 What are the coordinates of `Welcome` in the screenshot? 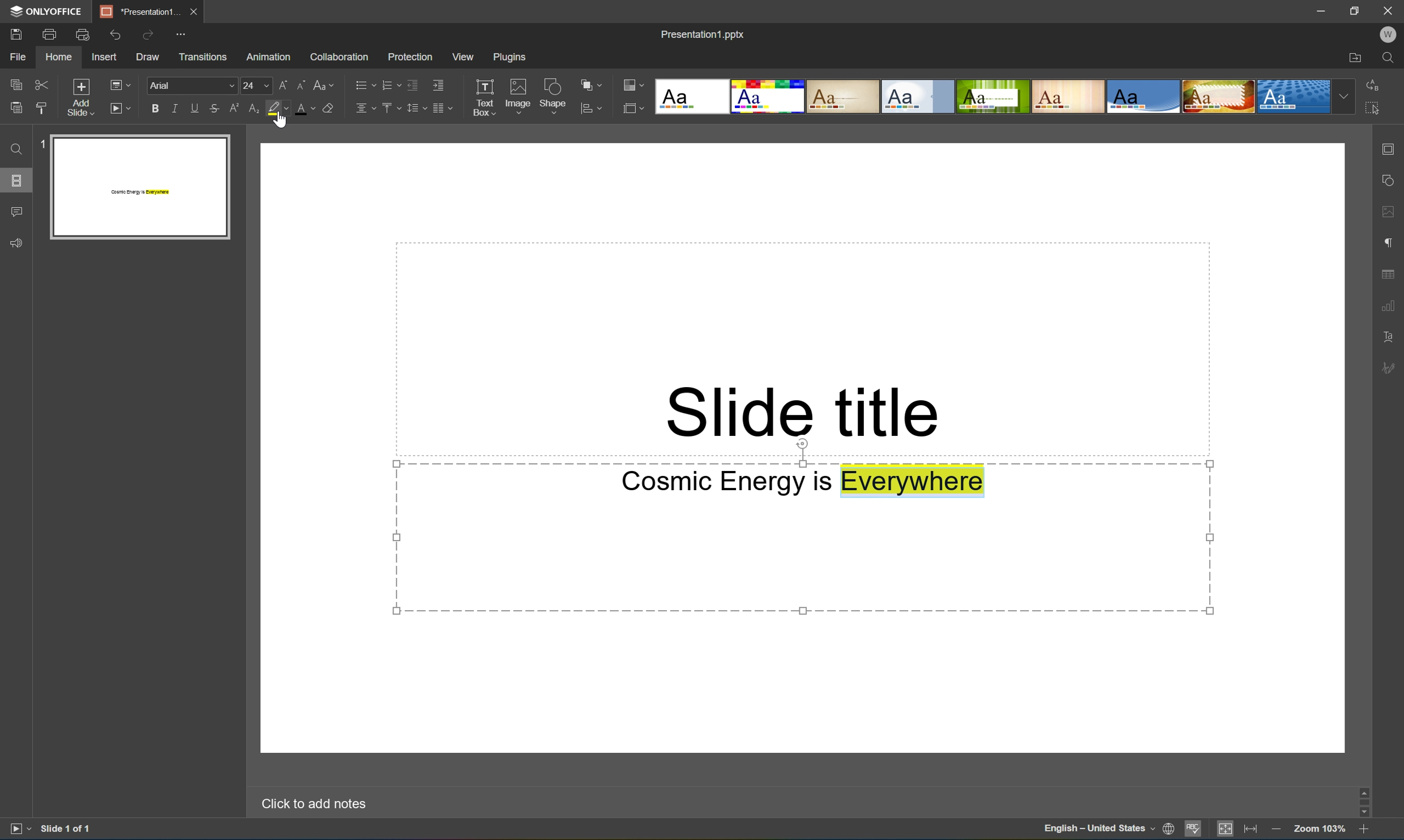 It's located at (1391, 33).